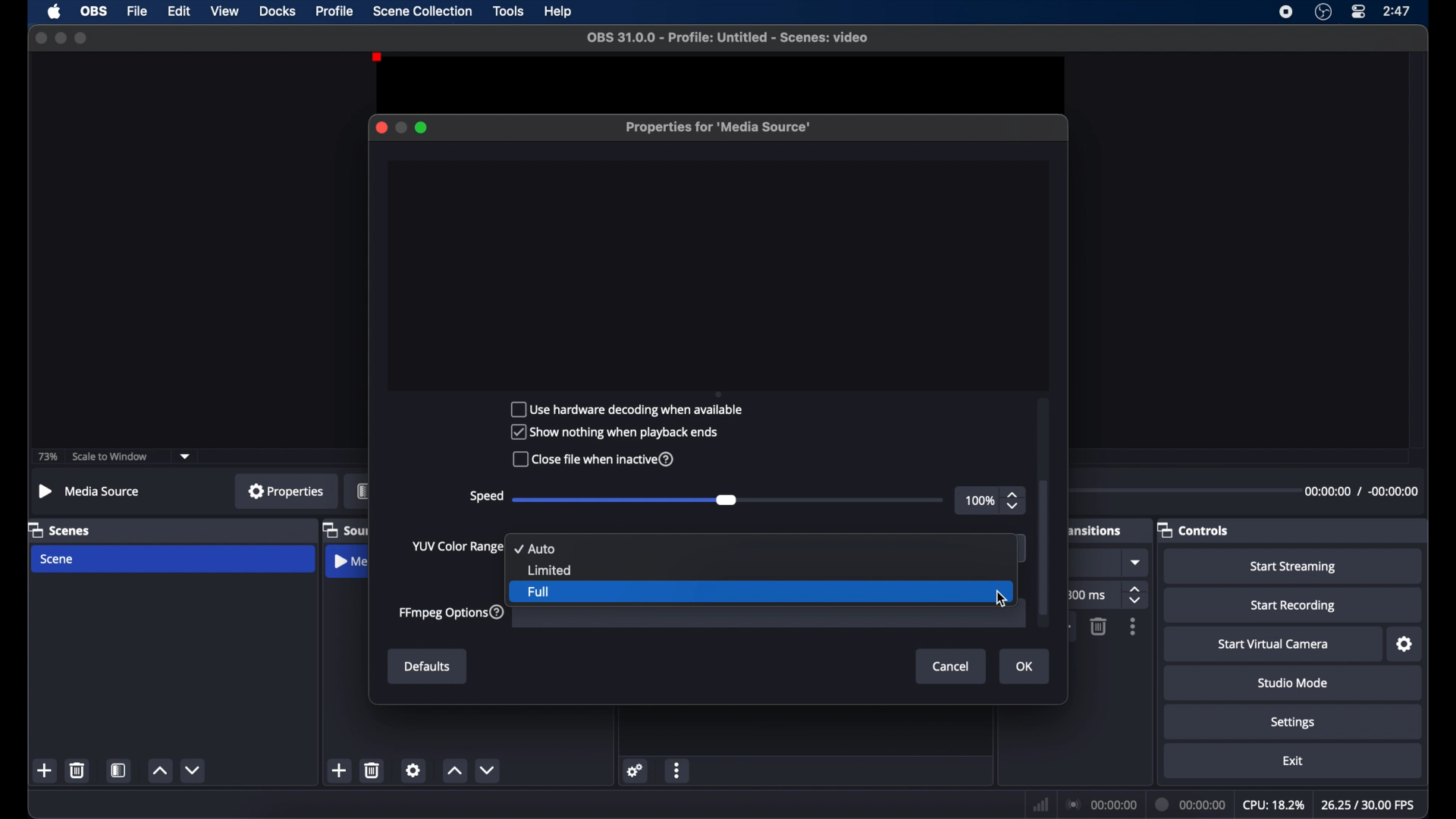 The height and width of the screenshot is (819, 1456). What do you see at coordinates (723, 500) in the screenshot?
I see `slider` at bounding box center [723, 500].